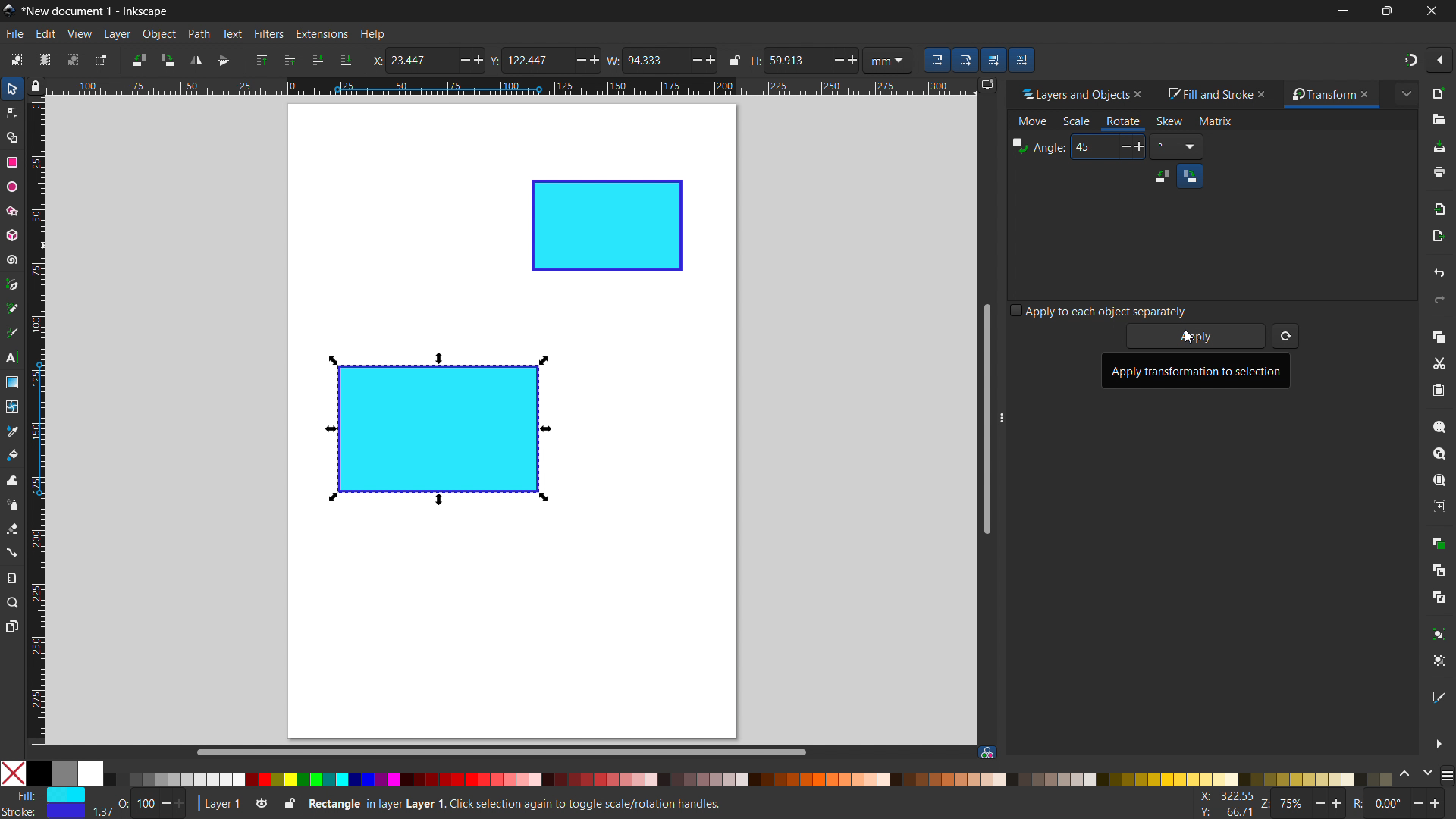 The width and height of the screenshot is (1456, 819). What do you see at coordinates (46, 795) in the screenshot?
I see `Fill` at bounding box center [46, 795].